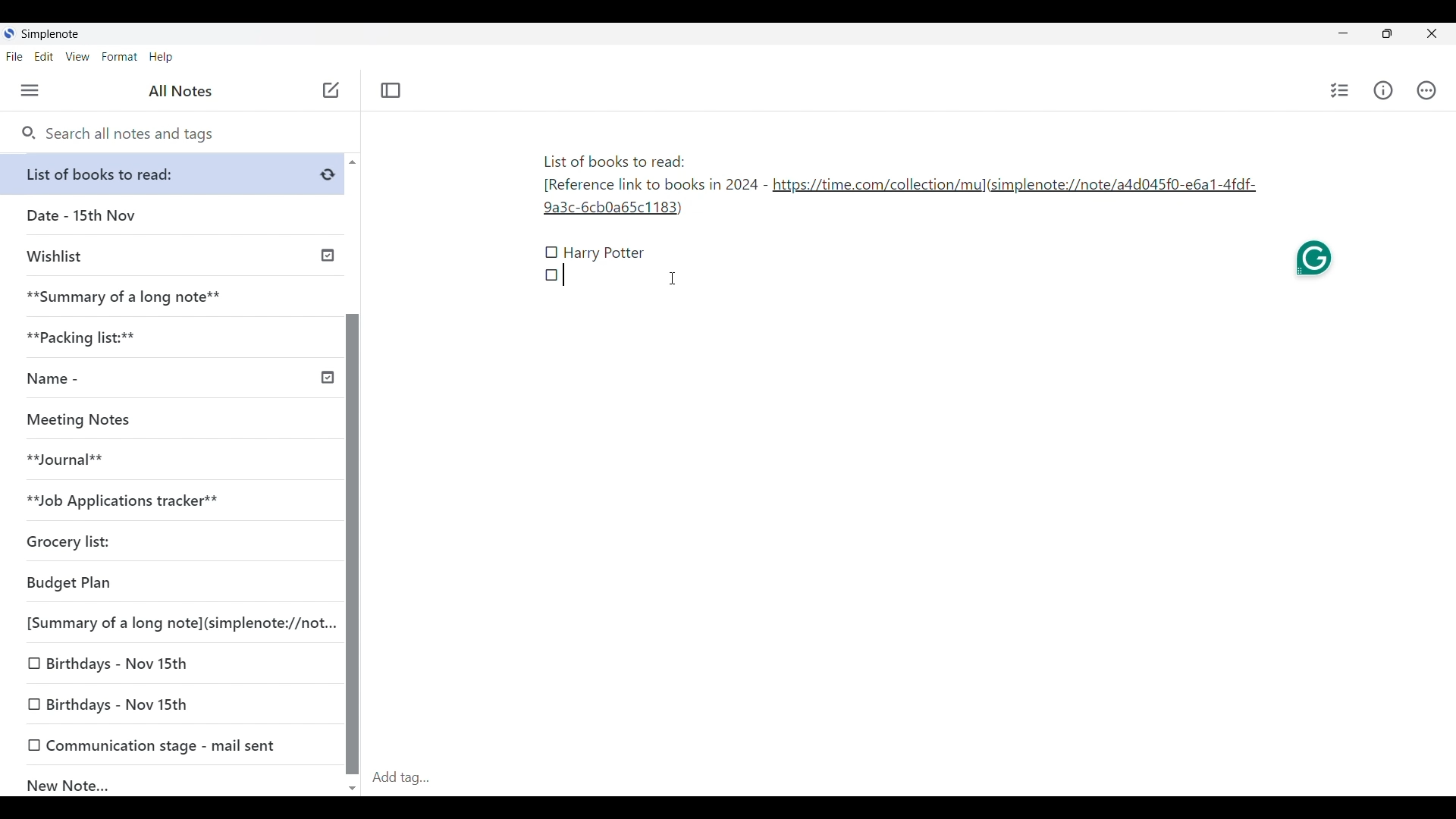 This screenshot has width=1456, height=819. I want to click on **Journal**, so click(168, 460).